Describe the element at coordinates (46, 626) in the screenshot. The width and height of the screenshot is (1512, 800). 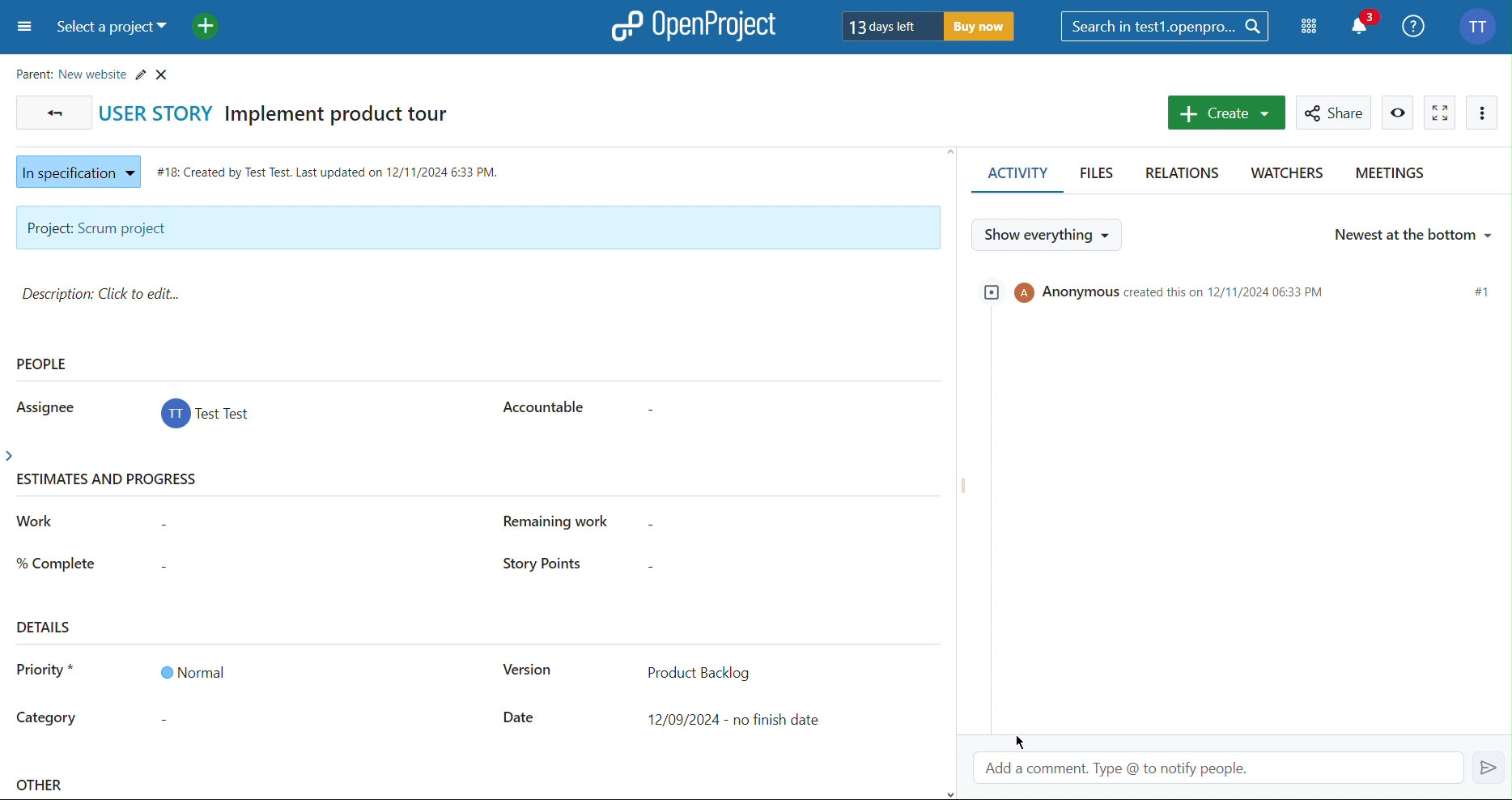
I see `Details` at that location.